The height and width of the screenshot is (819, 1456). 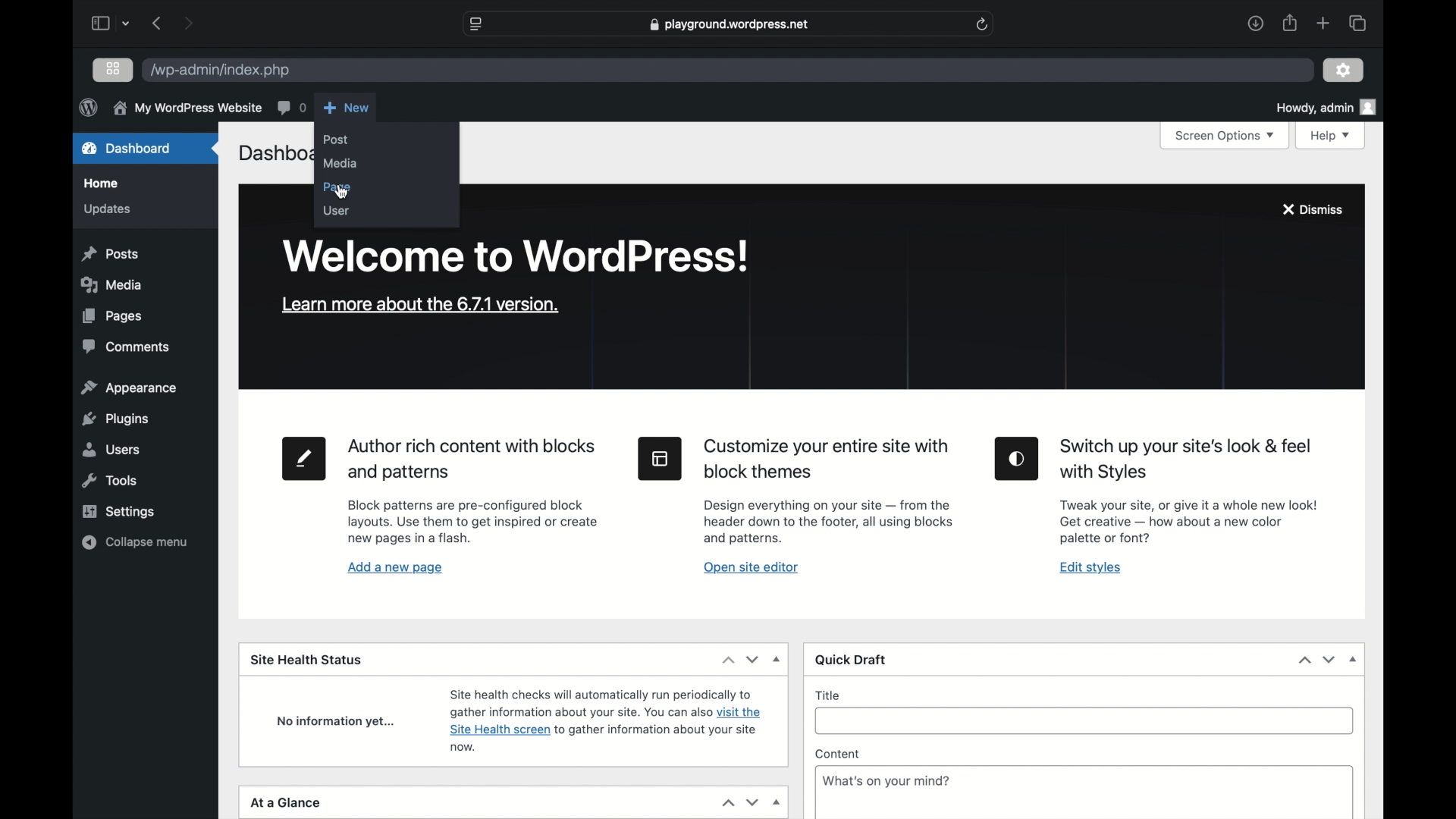 What do you see at coordinates (115, 68) in the screenshot?
I see `grid` at bounding box center [115, 68].